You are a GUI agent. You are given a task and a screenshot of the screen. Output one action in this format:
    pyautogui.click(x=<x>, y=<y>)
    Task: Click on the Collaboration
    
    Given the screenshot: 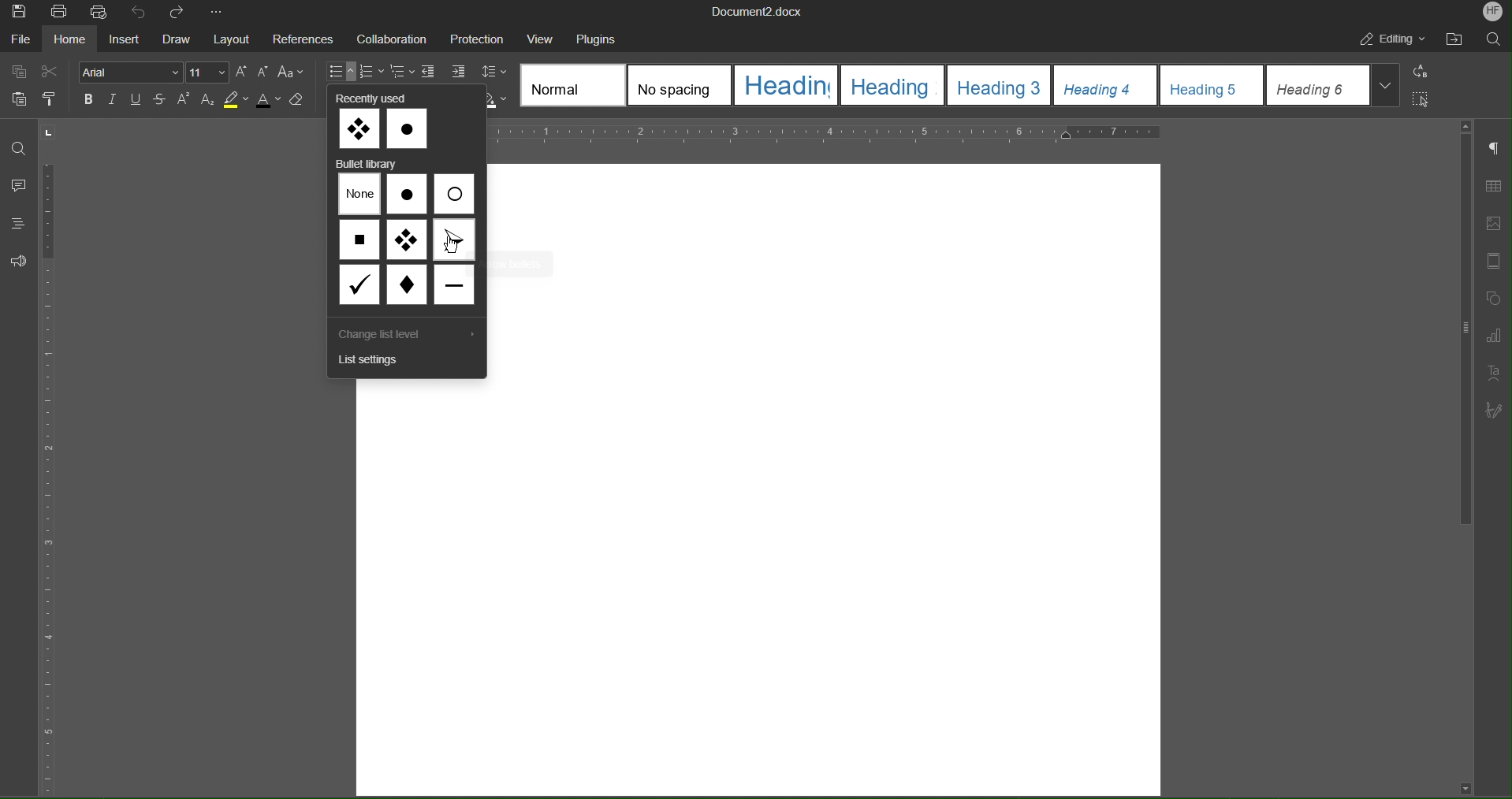 What is the action you would take?
    pyautogui.click(x=397, y=40)
    